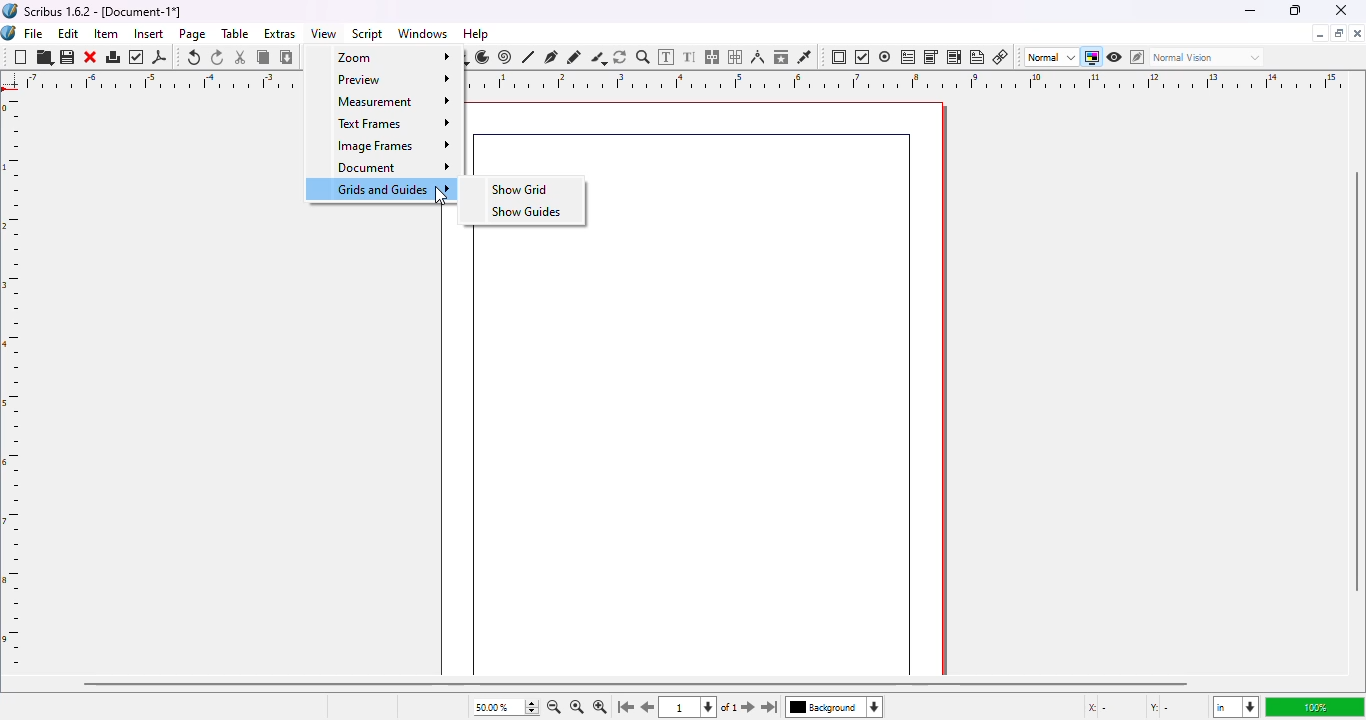  Describe the element at coordinates (1311, 707) in the screenshot. I see `100%` at that location.